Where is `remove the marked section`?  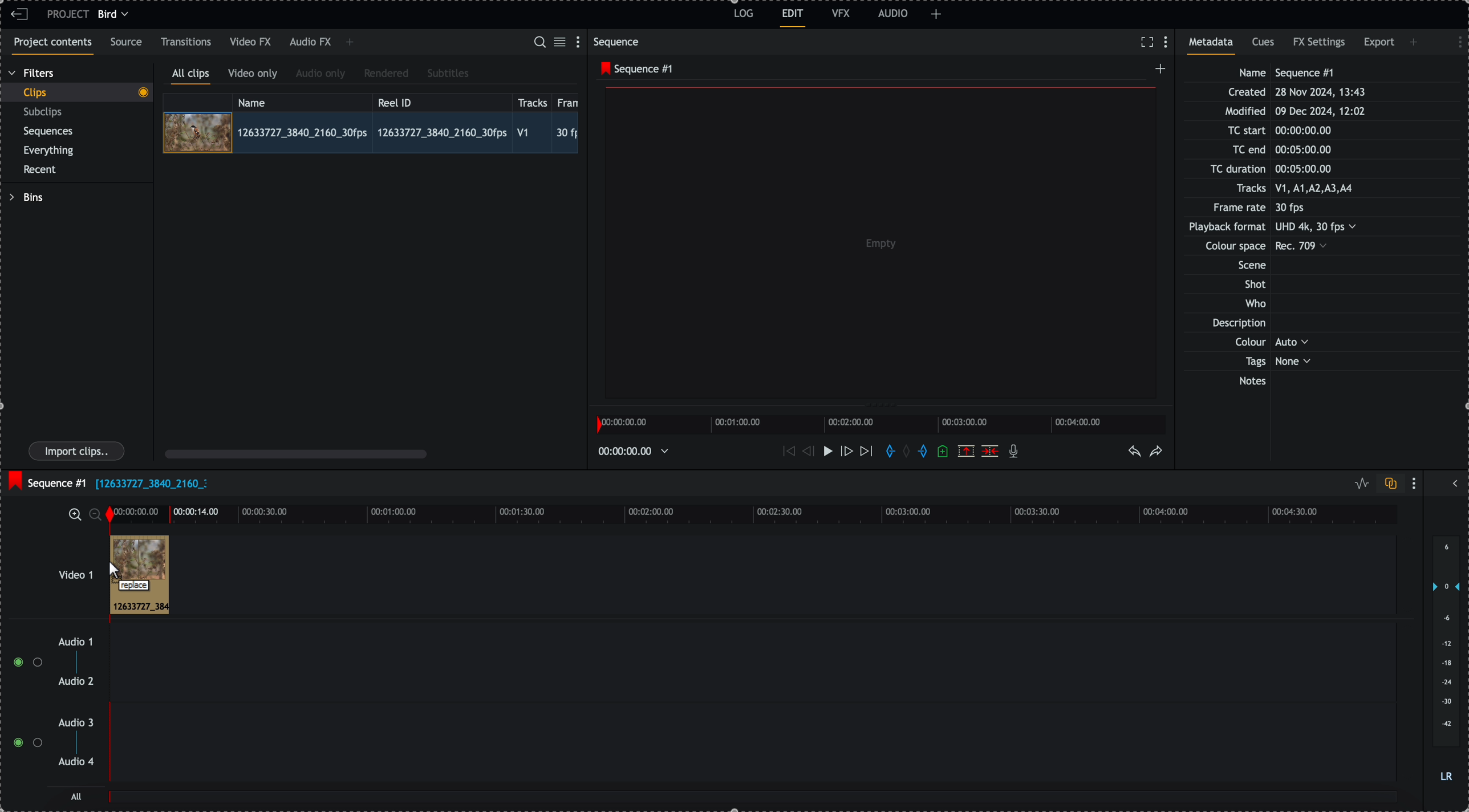
remove the marked section is located at coordinates (966, 450).